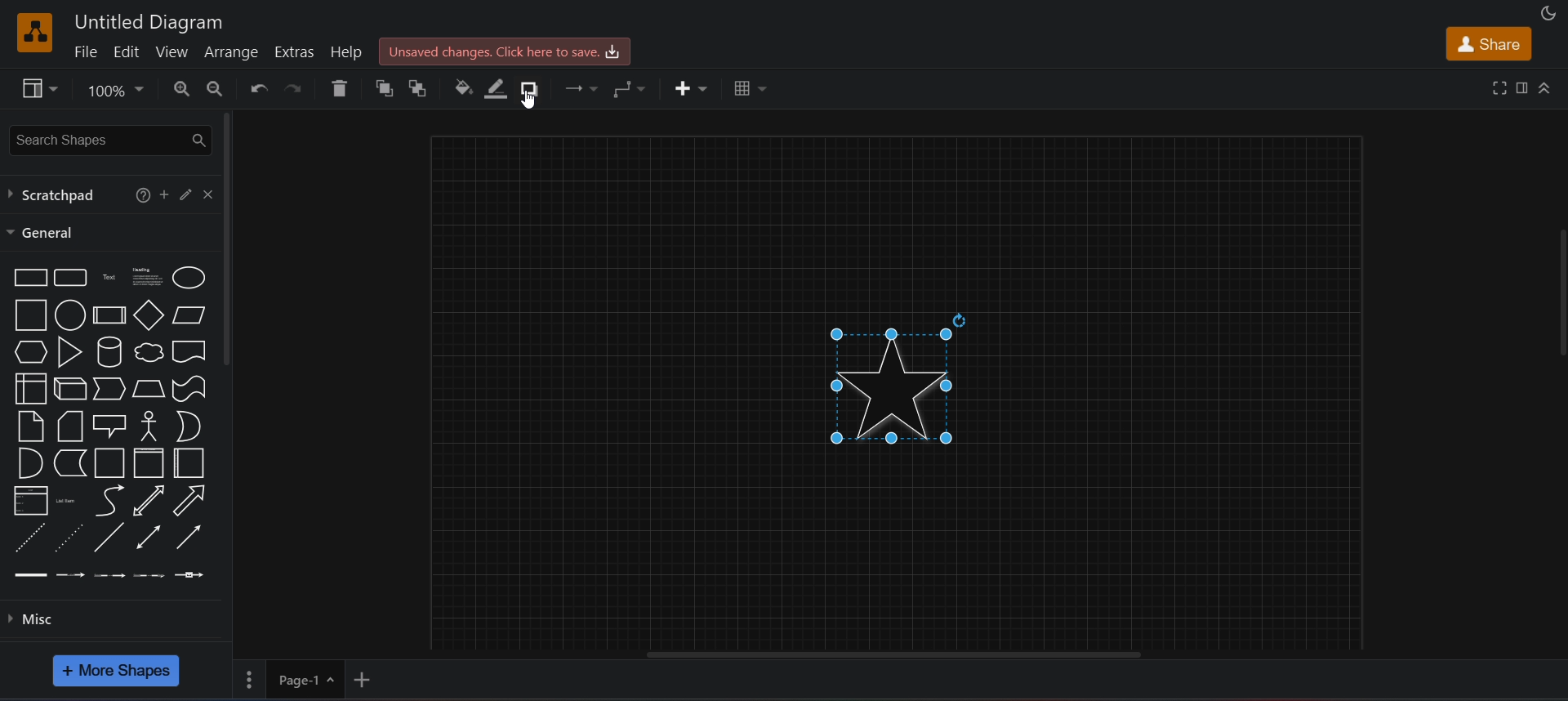 The width and height of the screenshot is (1568, 701). What do you see at coordinates (208, 194) in the screenshot?
I see `close` at bounding box center [208, 194].